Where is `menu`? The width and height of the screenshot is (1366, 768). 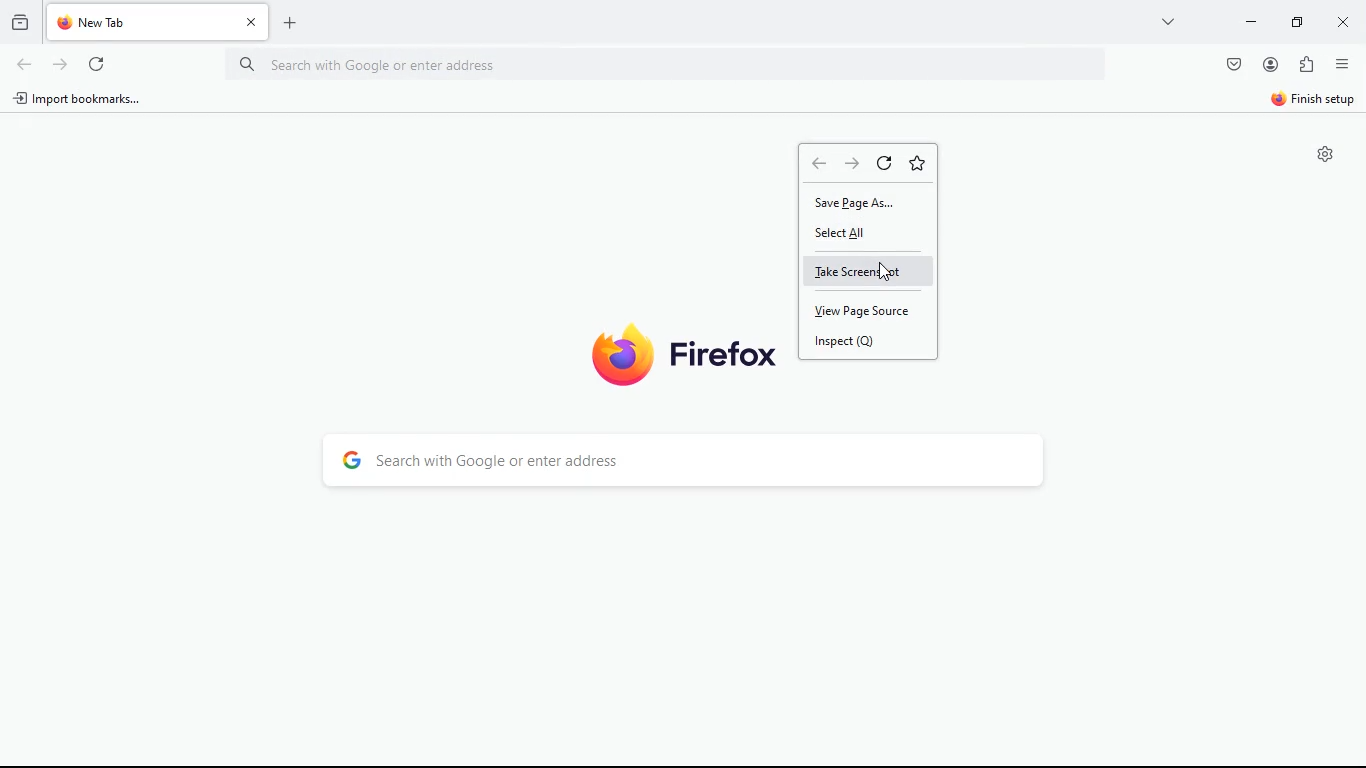 menu is located at coordinates (1341, 63).